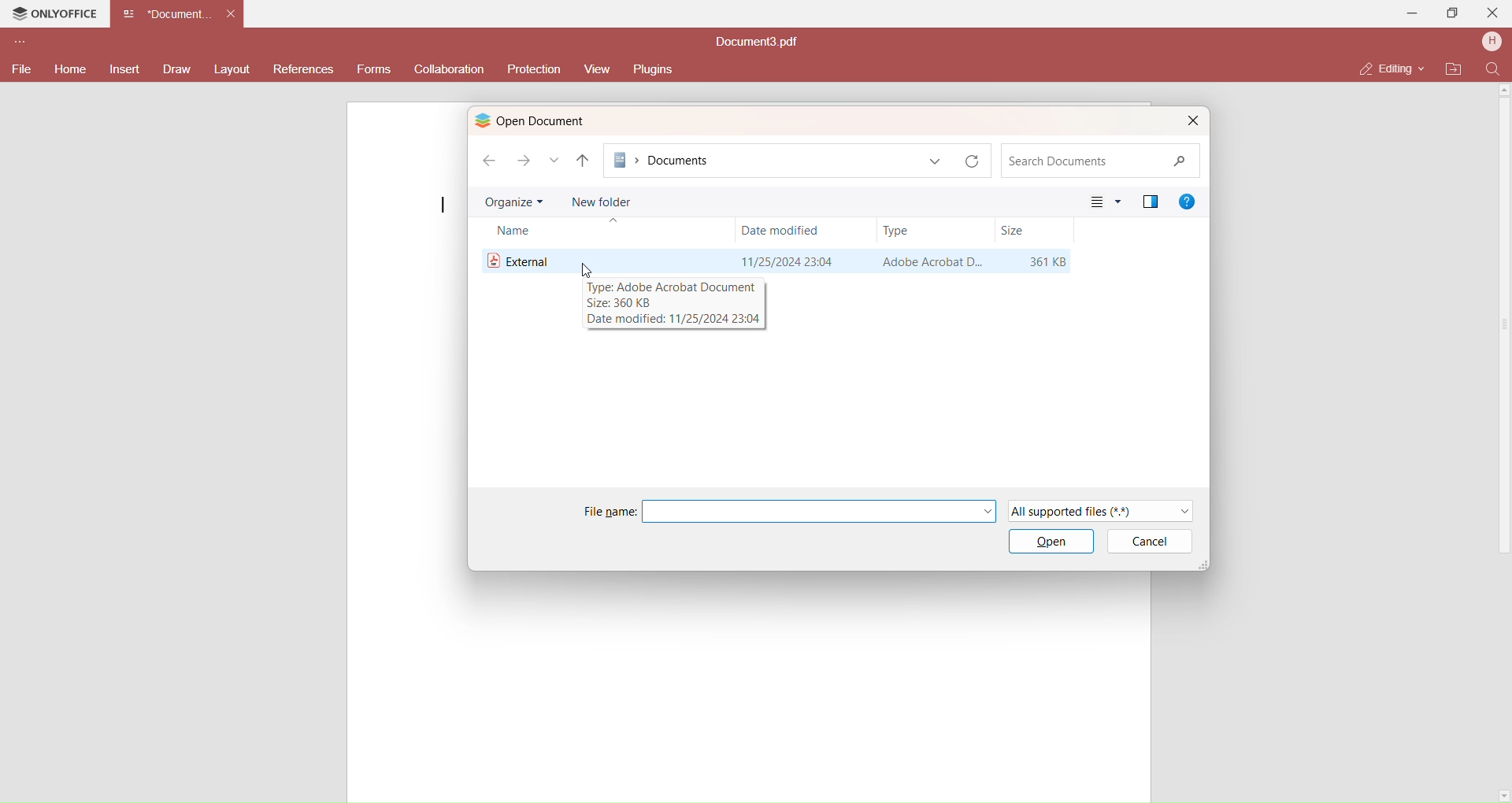 The image size is (1512, 803). Describe the element at coordinates (976, 161) in the screenshot. I see `Reload` at that location.